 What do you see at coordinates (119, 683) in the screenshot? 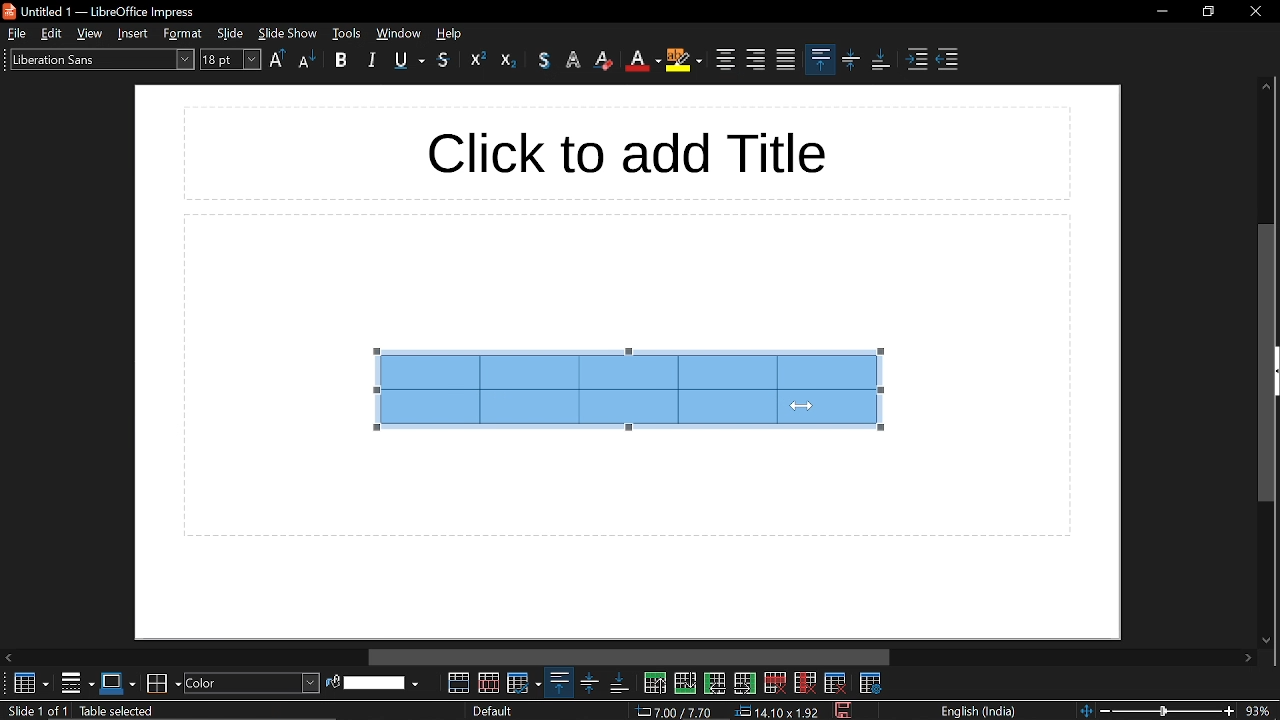
I see `border style` at bounding box center [119, 683].